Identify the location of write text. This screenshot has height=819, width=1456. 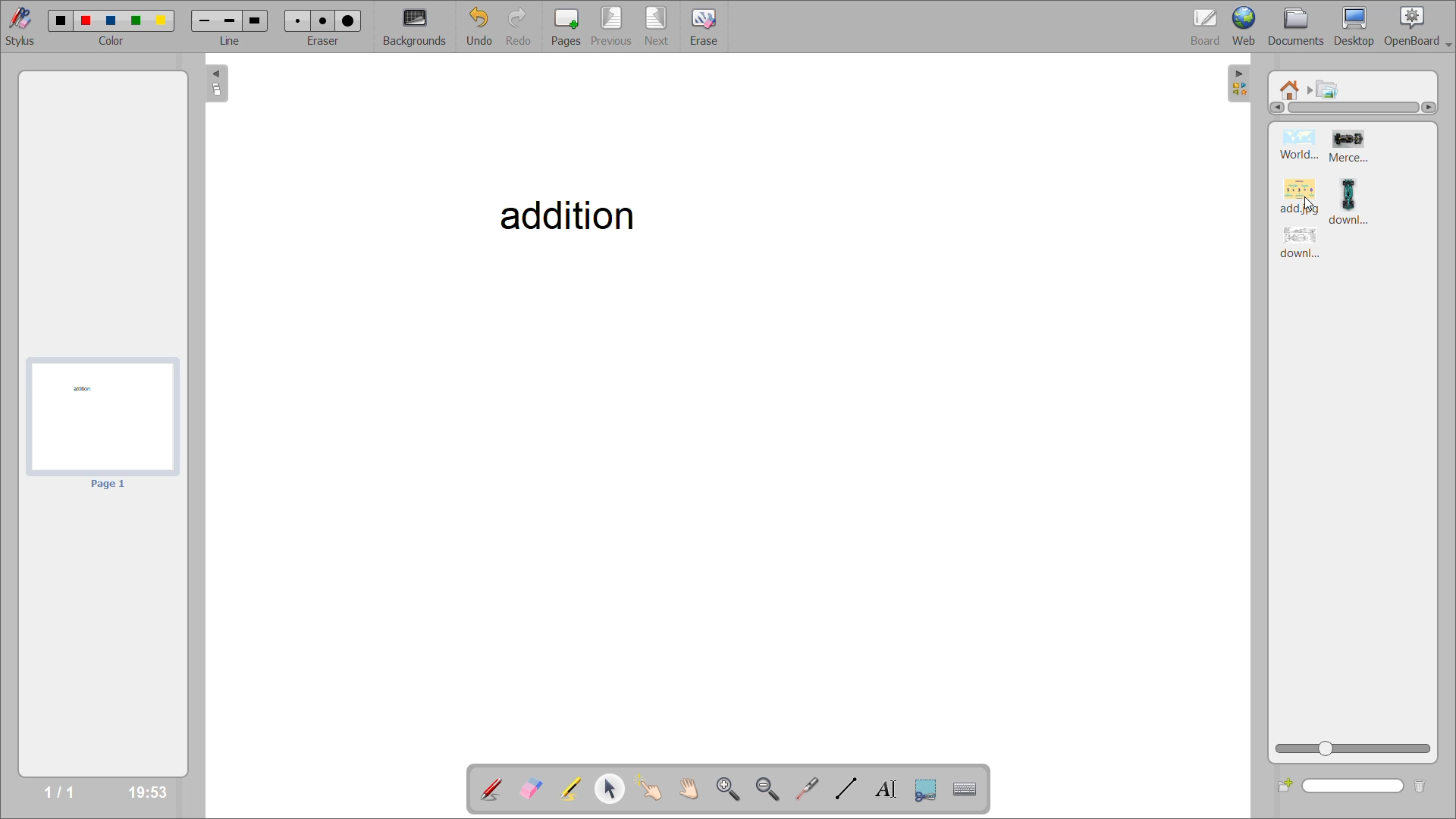
(890, 789).